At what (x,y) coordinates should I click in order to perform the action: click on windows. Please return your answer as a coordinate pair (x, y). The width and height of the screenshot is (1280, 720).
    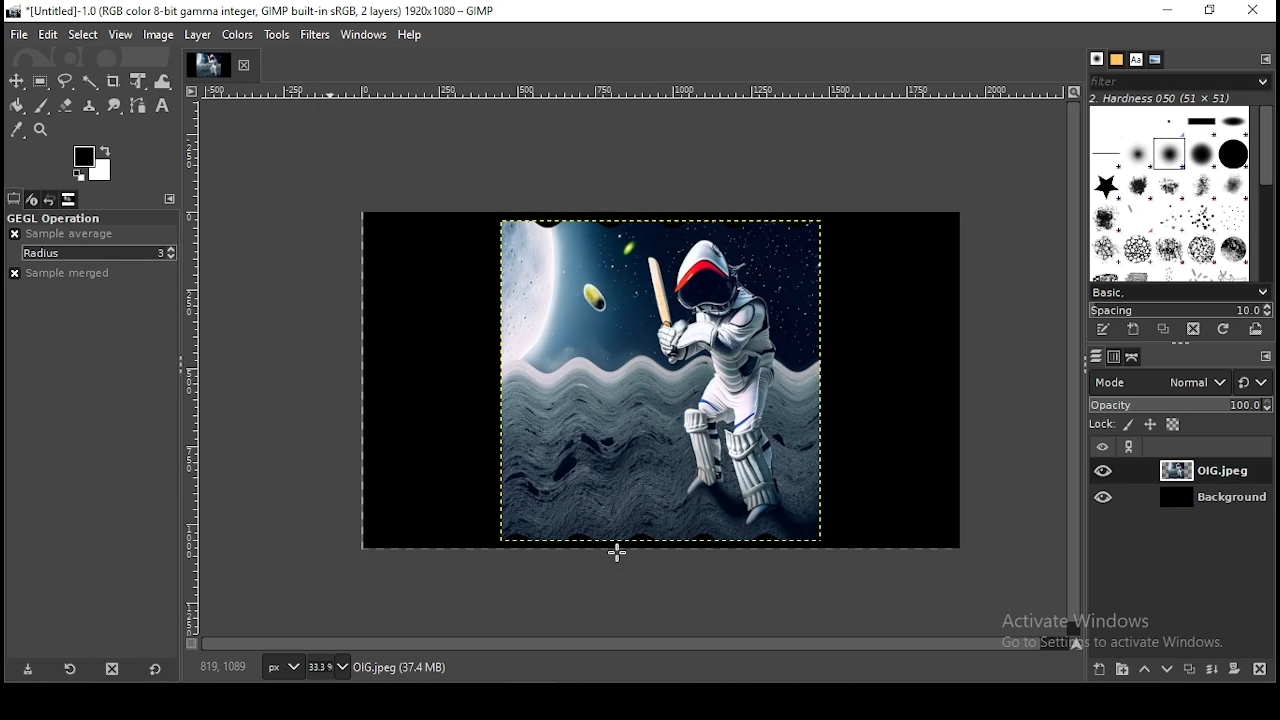
    Looking at the image, I should click on (363, 35).